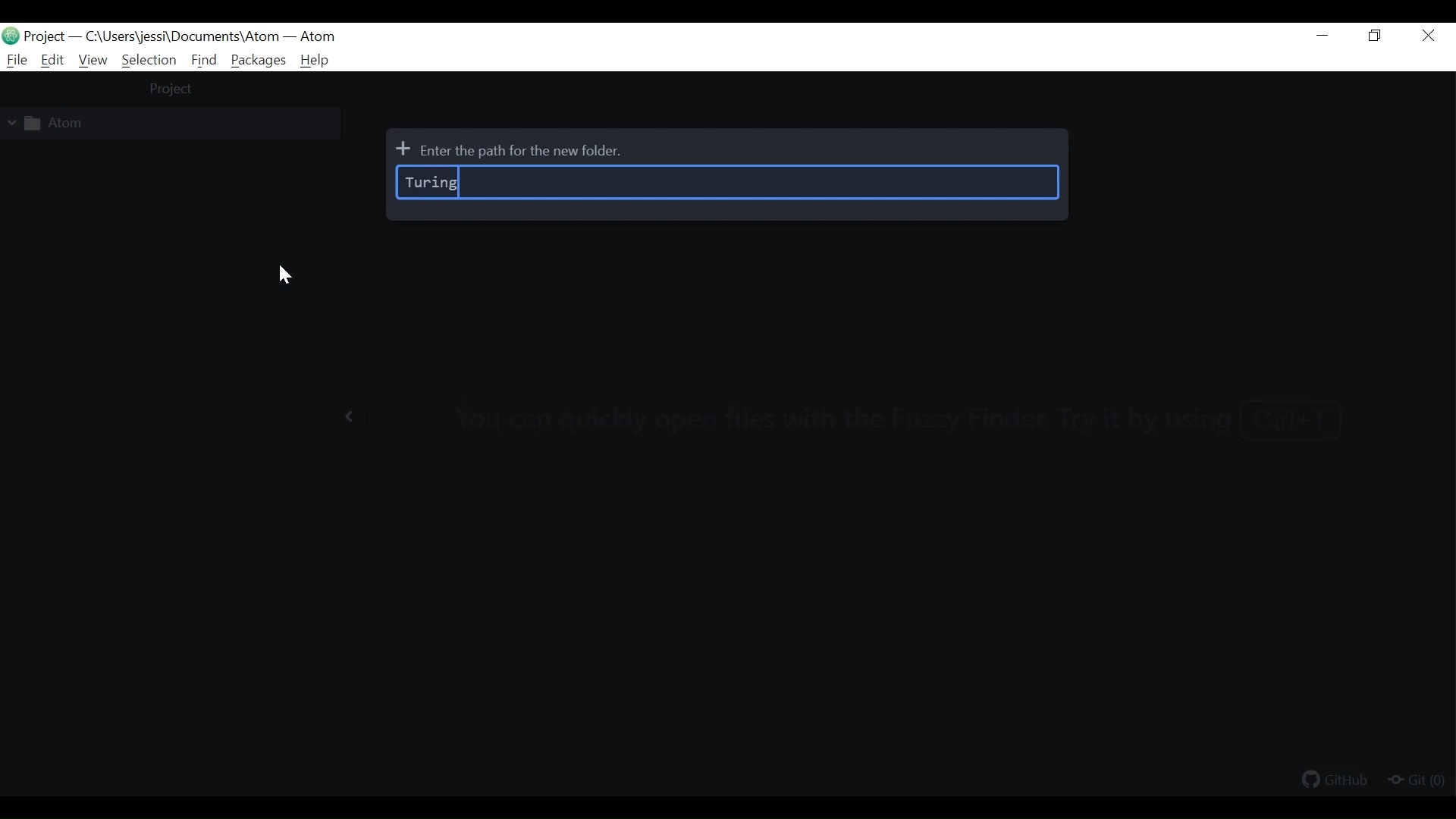 This screenshot has width=1456, height=819. Describe the element at coordinates (259, 60) in the screenshot. I see `Packages` at that location.